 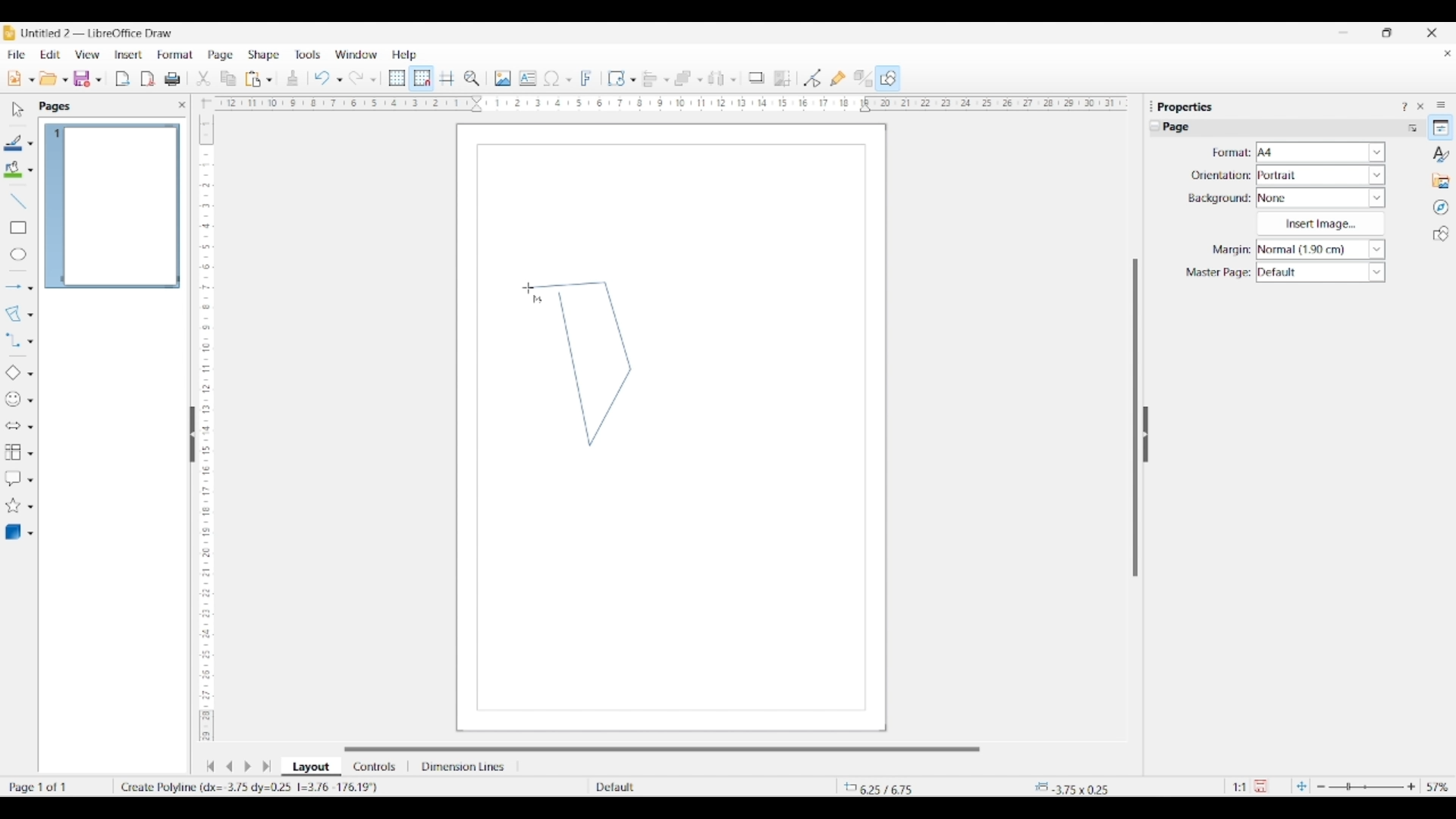 I want to click on Horizontal slide bar, so click(x=662, y=749).